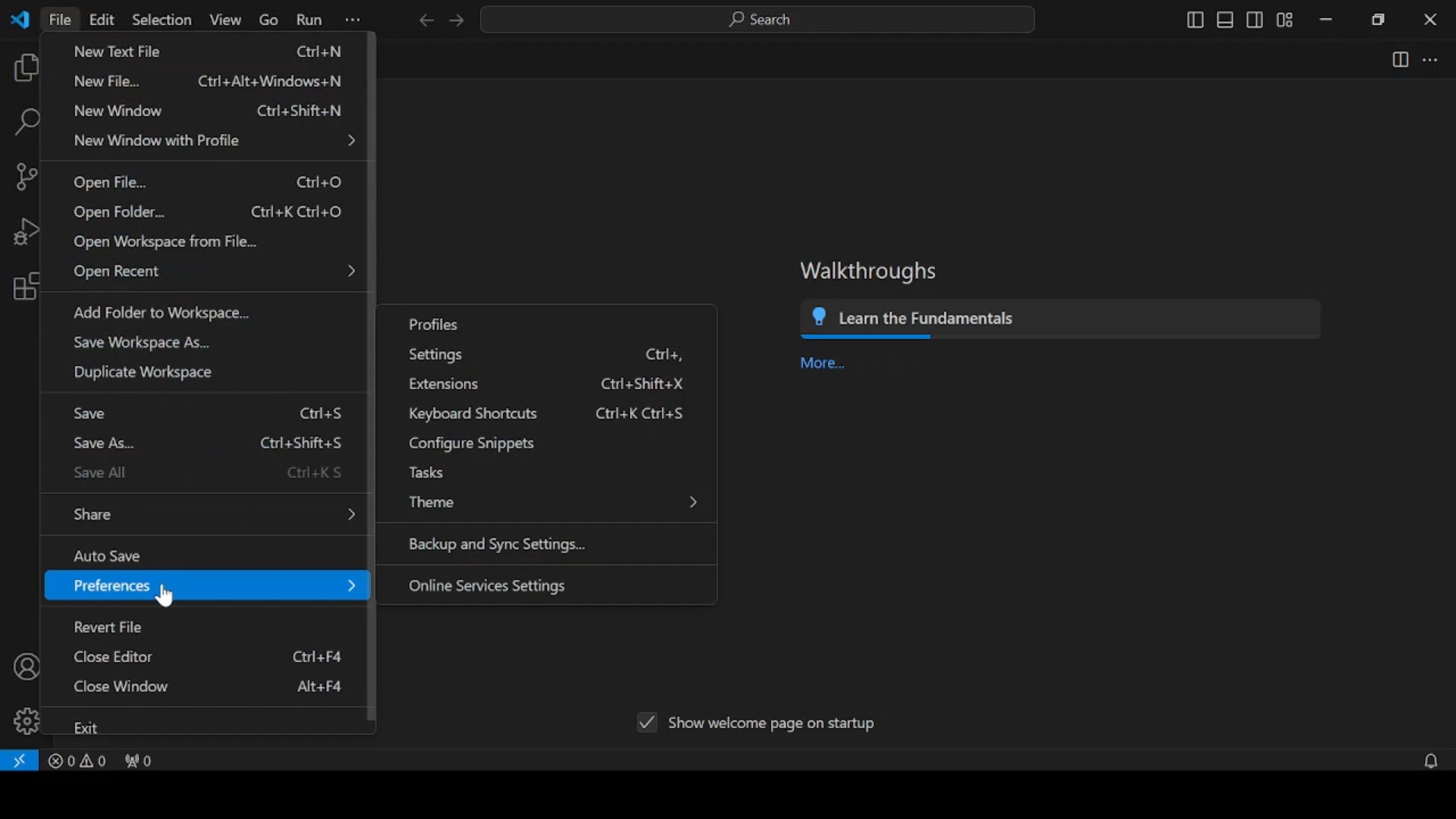 This screenshot has width=1456, height=819. Describe the element at coordinates (474, 415) in the screenshot. I see `keyboard shortcuts` at that location.